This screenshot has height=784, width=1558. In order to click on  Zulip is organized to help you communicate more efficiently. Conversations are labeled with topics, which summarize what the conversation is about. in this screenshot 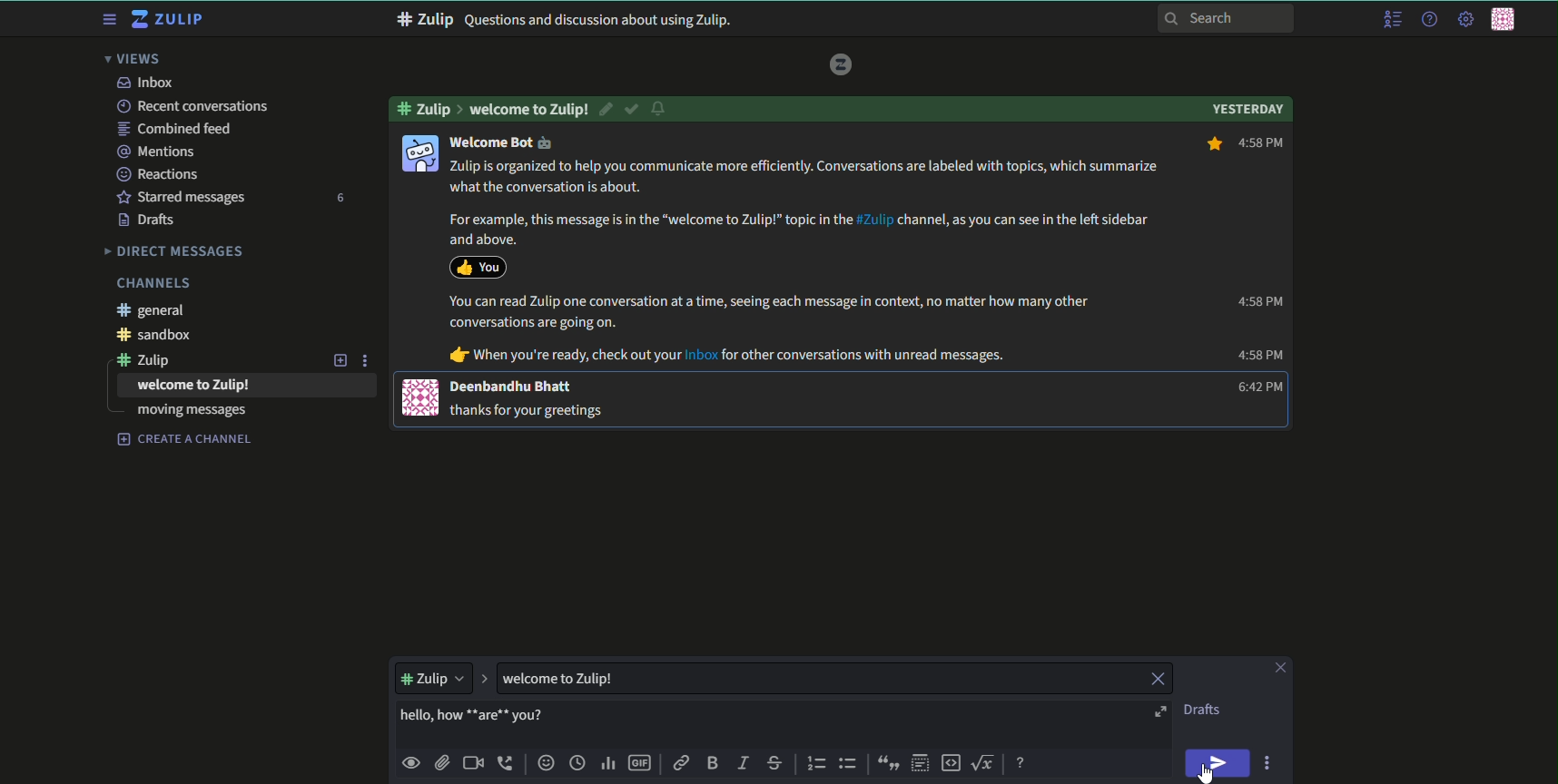, I will do `click(807, 179)`.